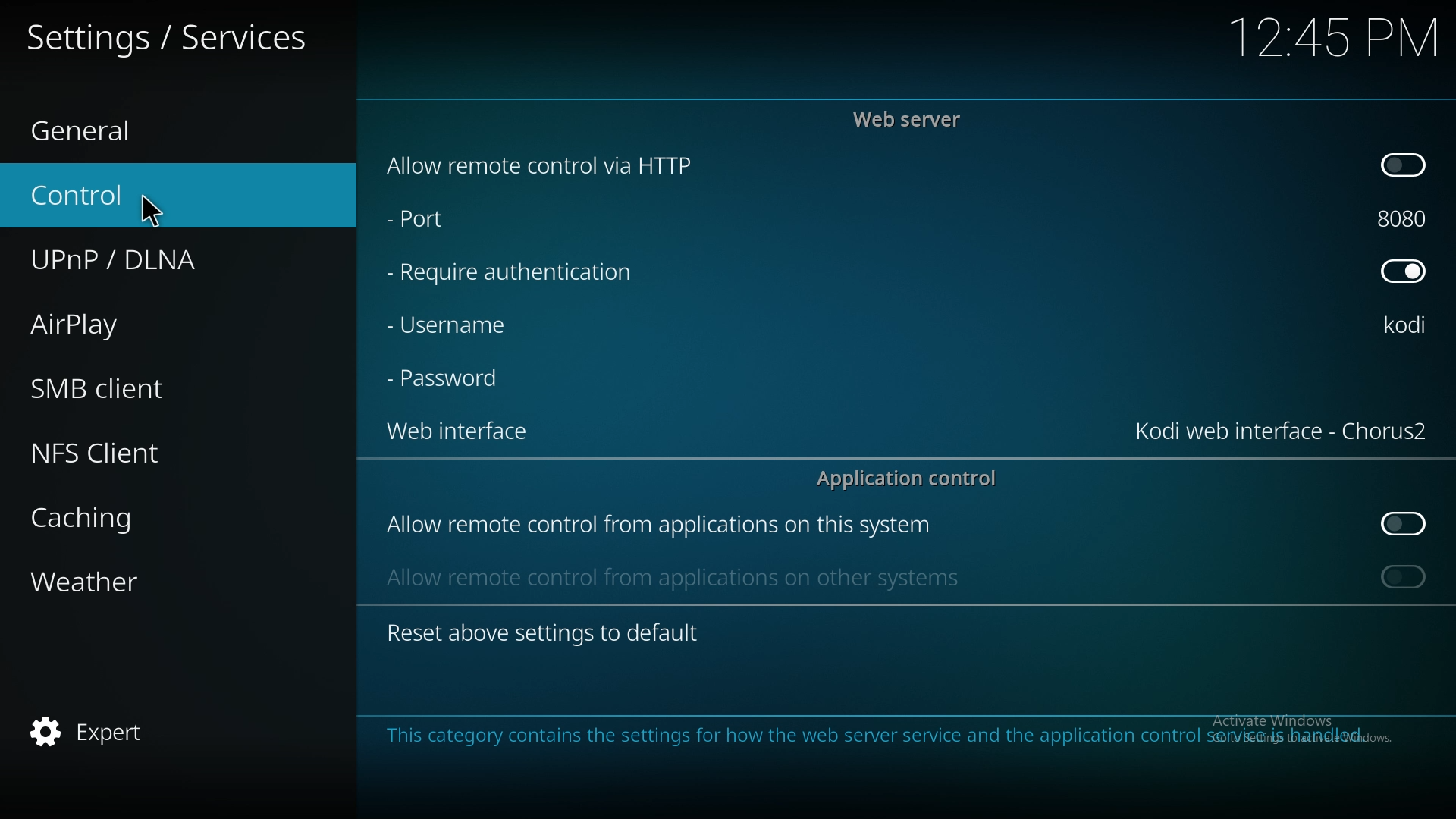 Image resolution: width=1456 pixels, height=819 pixels. Describe the element at coordinates (1404, 163) in the screenshot. I see `on` at that location.